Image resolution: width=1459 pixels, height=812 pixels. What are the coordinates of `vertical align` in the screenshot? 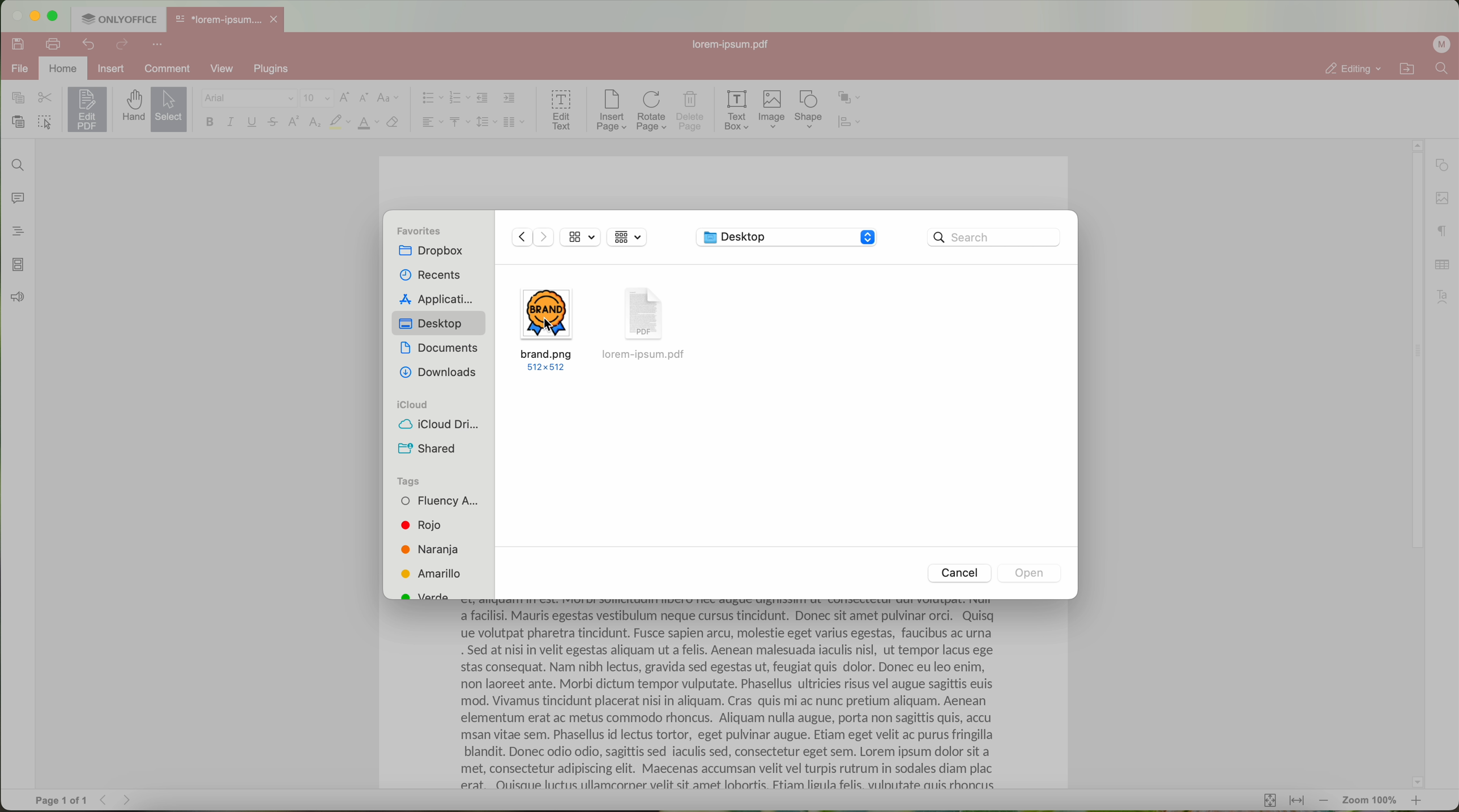 It's located at (459, 122).